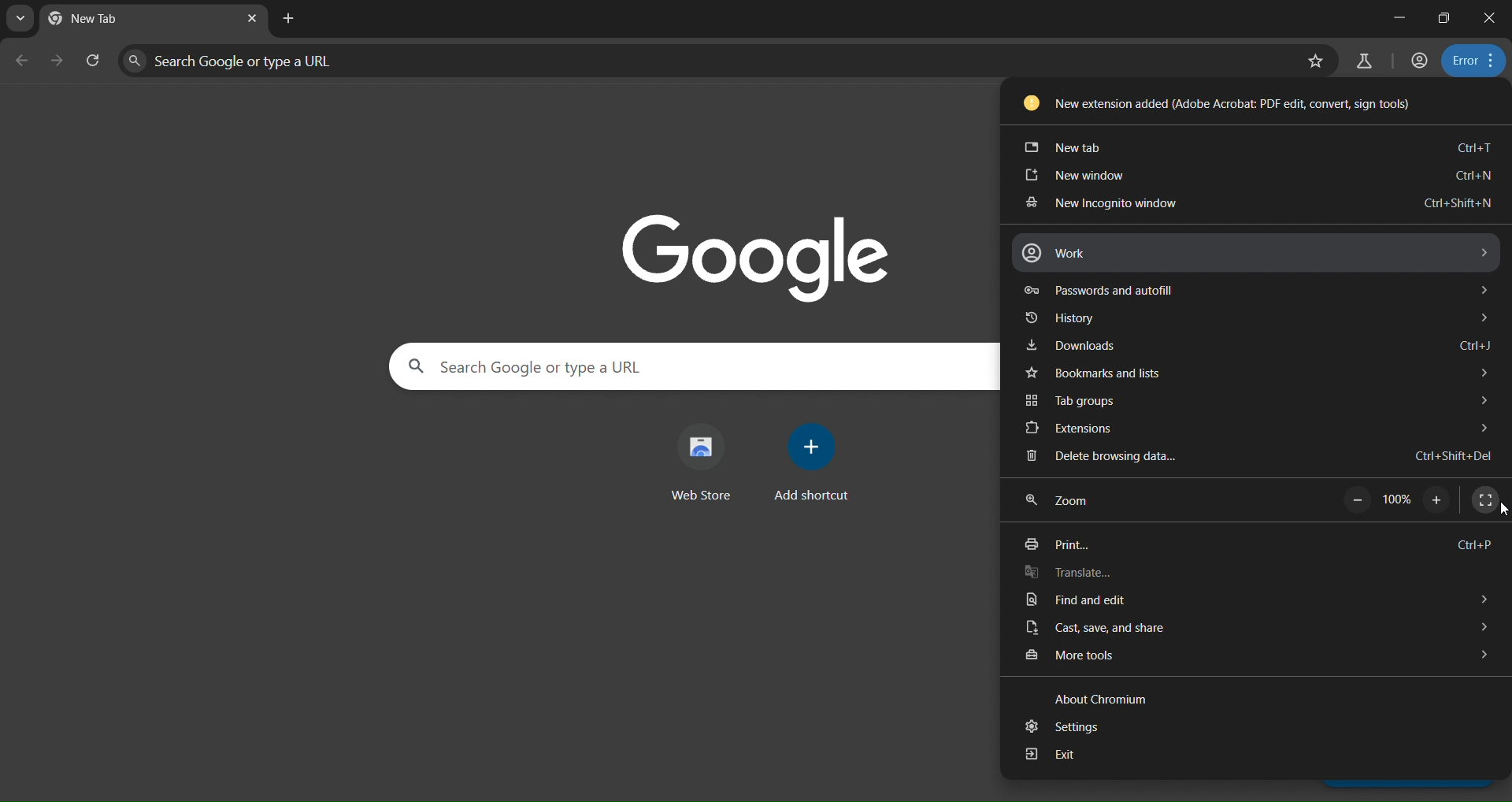 Image resolution: width=1512 pixels, height=802 pixels. Describe the element at coordinates (18, 19) in the screenshot. I see `search tabs` at that location.